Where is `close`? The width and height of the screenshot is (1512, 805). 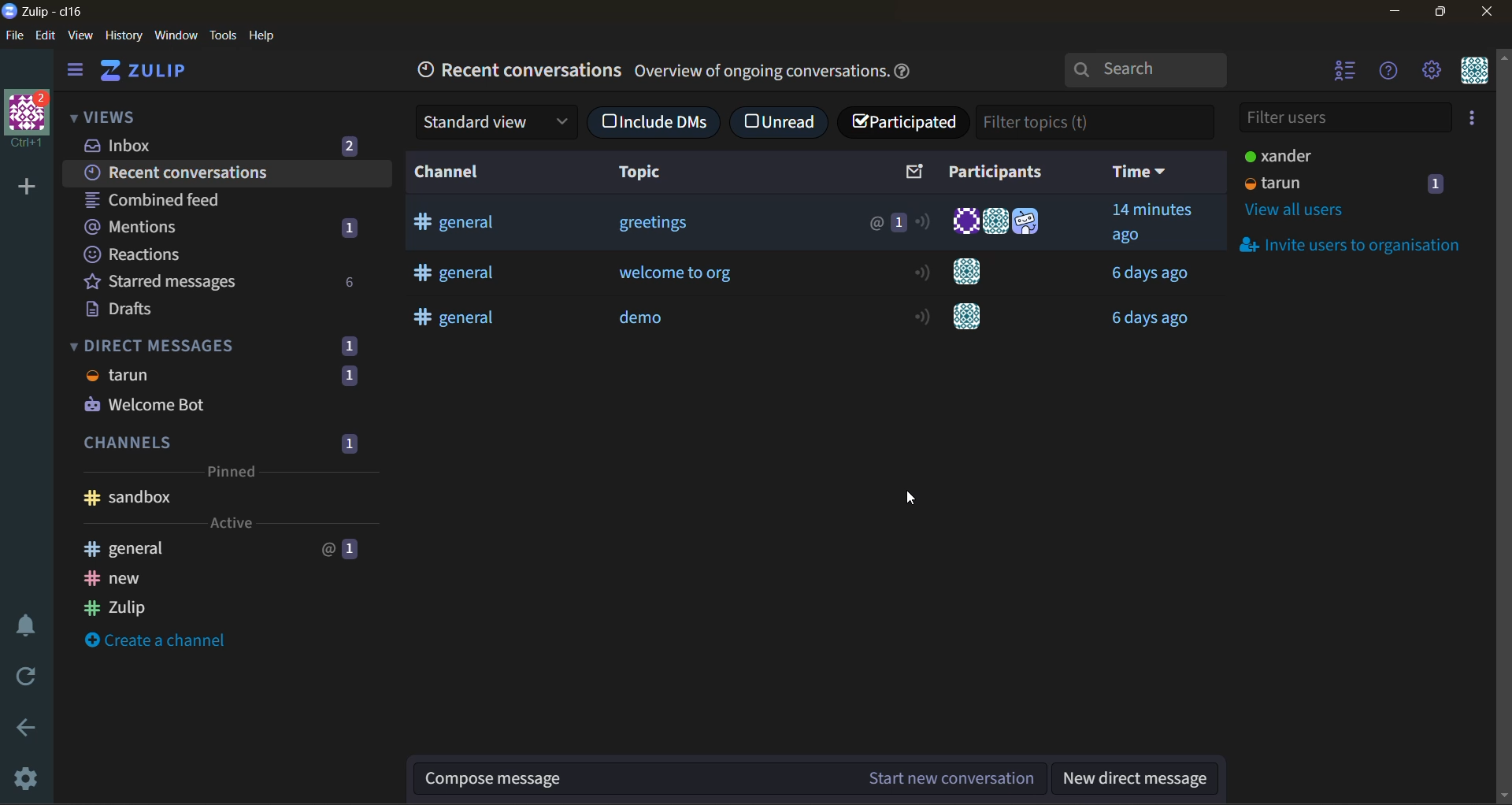 close is located at coordinates (1488, 13).